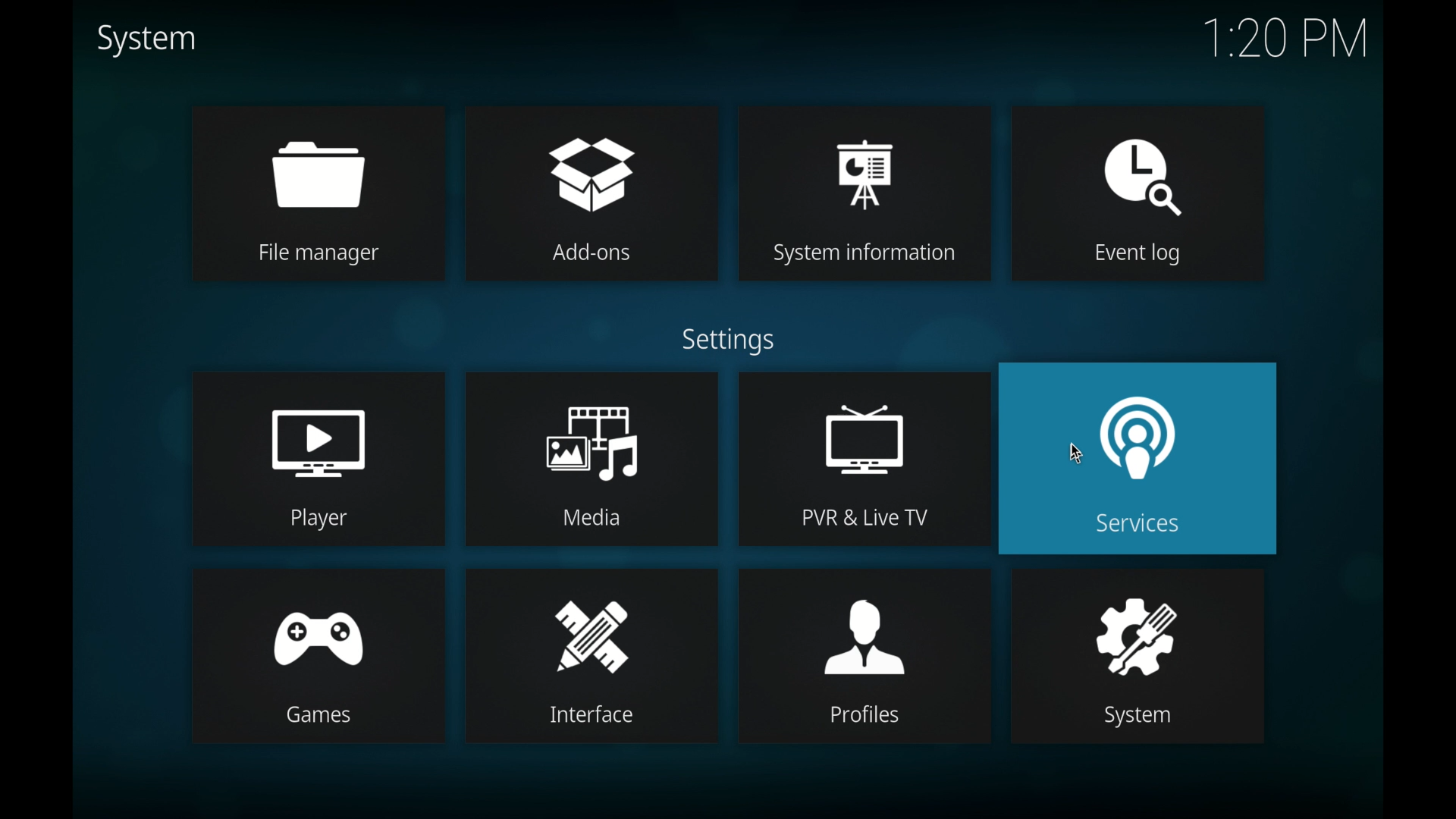 This screenshot has height=819, width=1456. What do you see at coordinates (1286, 39) in the screenshot?
I see `time` at bounding box center [1286, 39].